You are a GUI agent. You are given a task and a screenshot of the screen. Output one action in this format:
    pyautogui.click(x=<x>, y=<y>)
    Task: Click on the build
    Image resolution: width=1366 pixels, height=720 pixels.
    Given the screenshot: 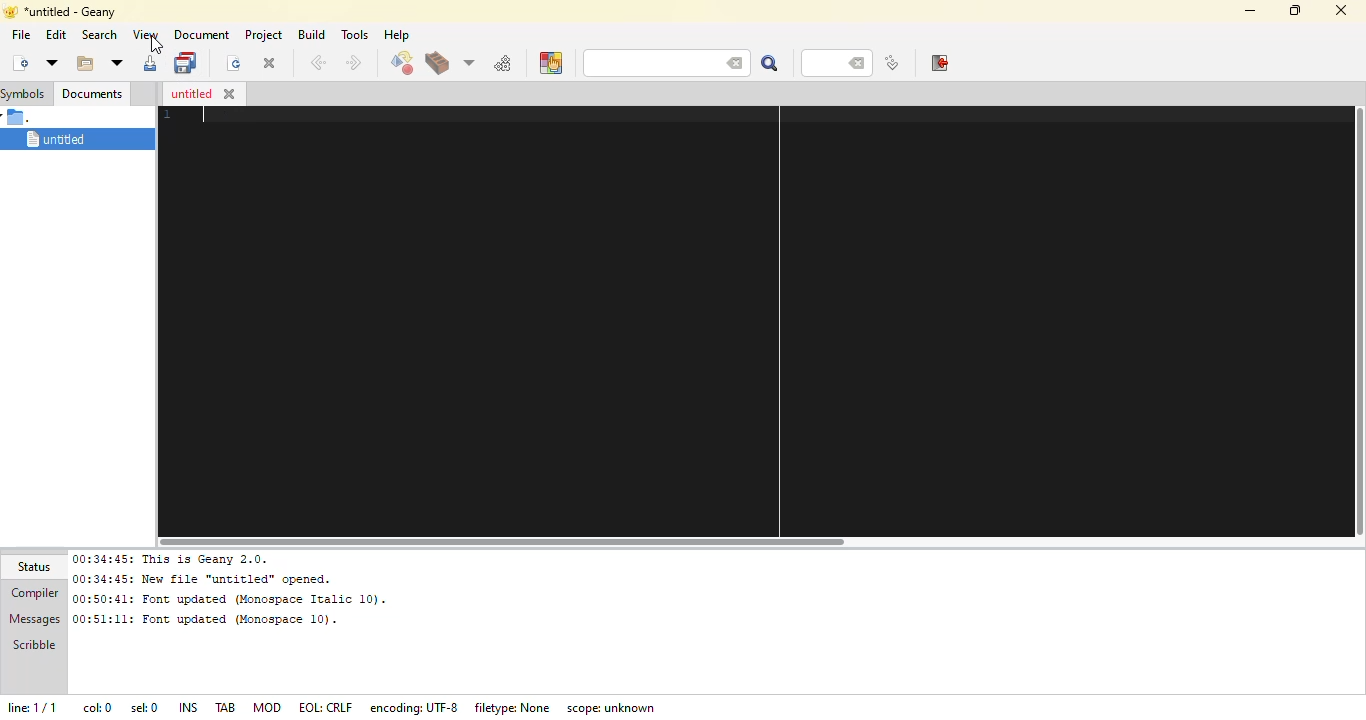 What is the action you would take?
    pyautogui.click(x=436, y=65)
    